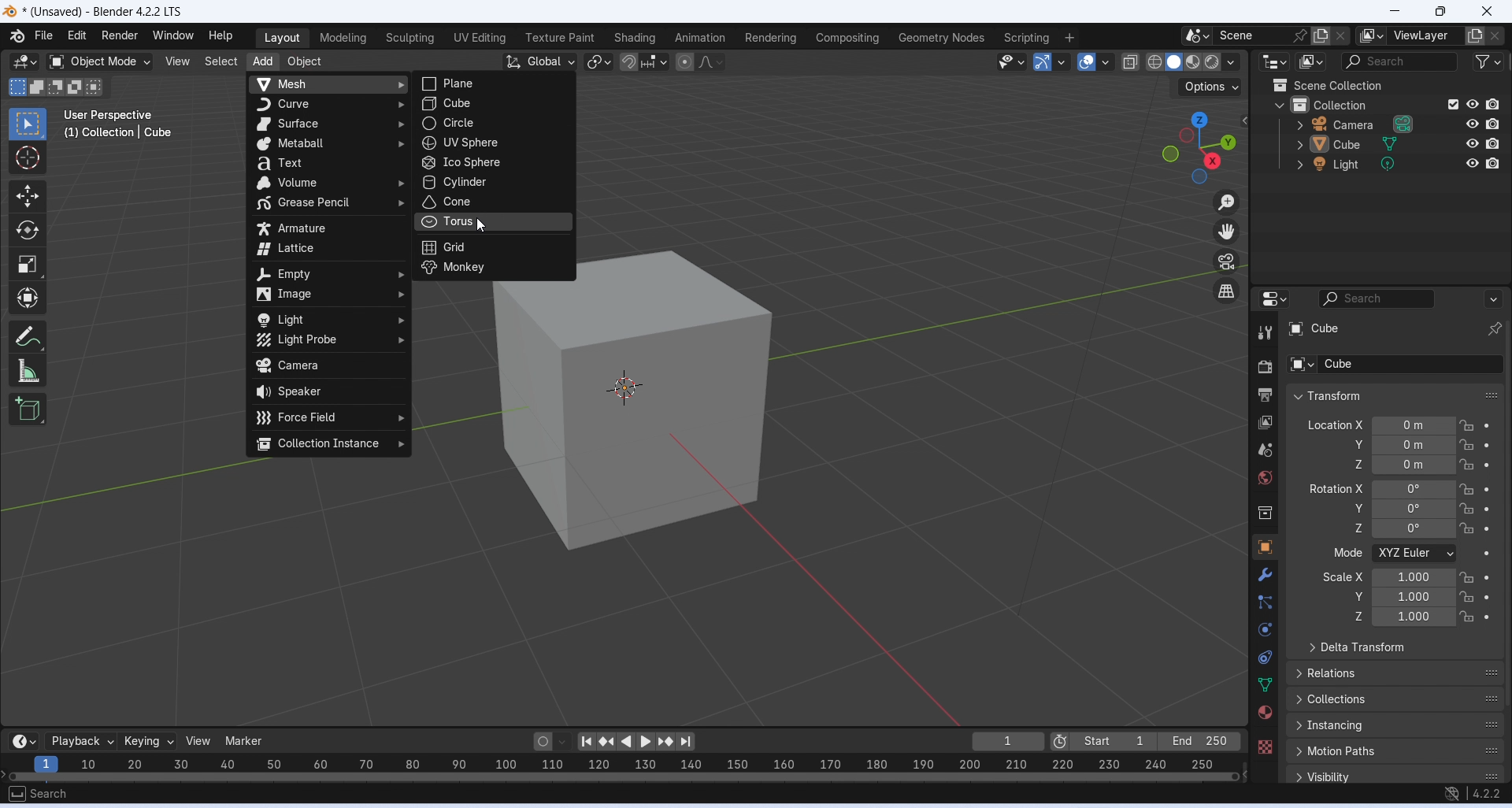  What do you see at coordinates (1358, 616) in the screenshot?
I see `Scale  Z` at bounding box center [1358, 616].